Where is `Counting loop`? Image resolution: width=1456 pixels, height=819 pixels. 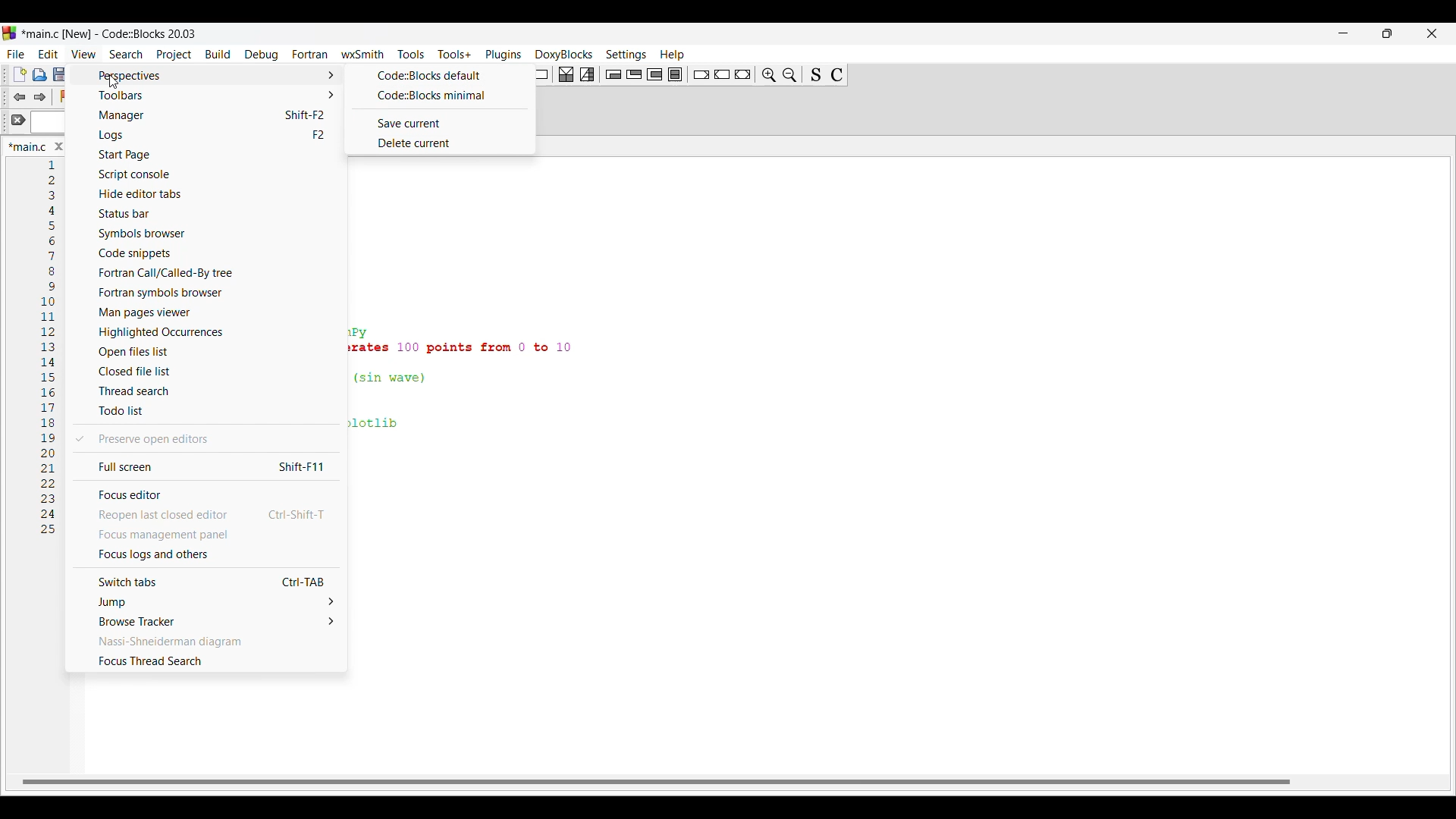
Counting loop is located at coordinates (654, 74).